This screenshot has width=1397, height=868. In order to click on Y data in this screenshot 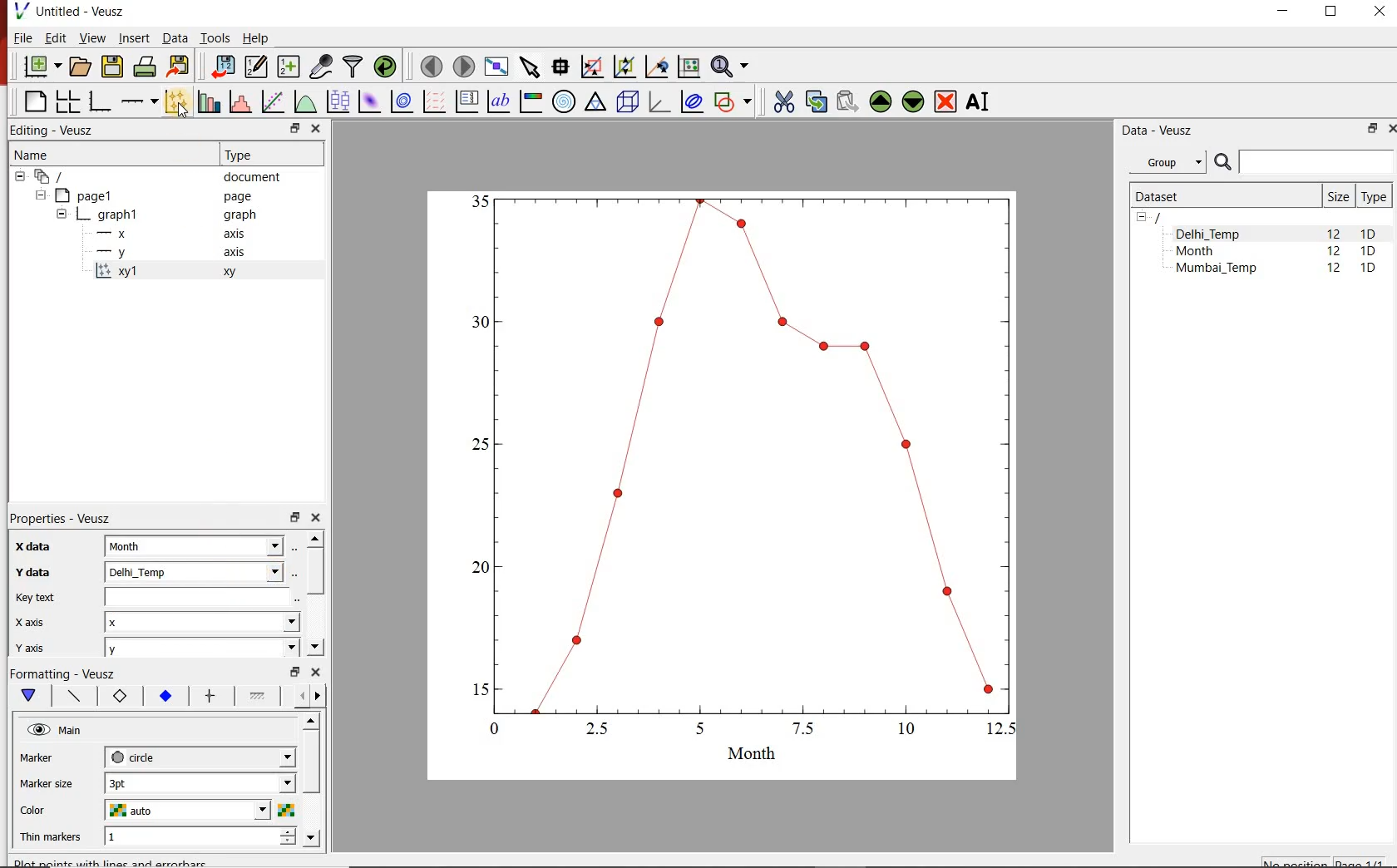, I will do `click(29, 571)`.